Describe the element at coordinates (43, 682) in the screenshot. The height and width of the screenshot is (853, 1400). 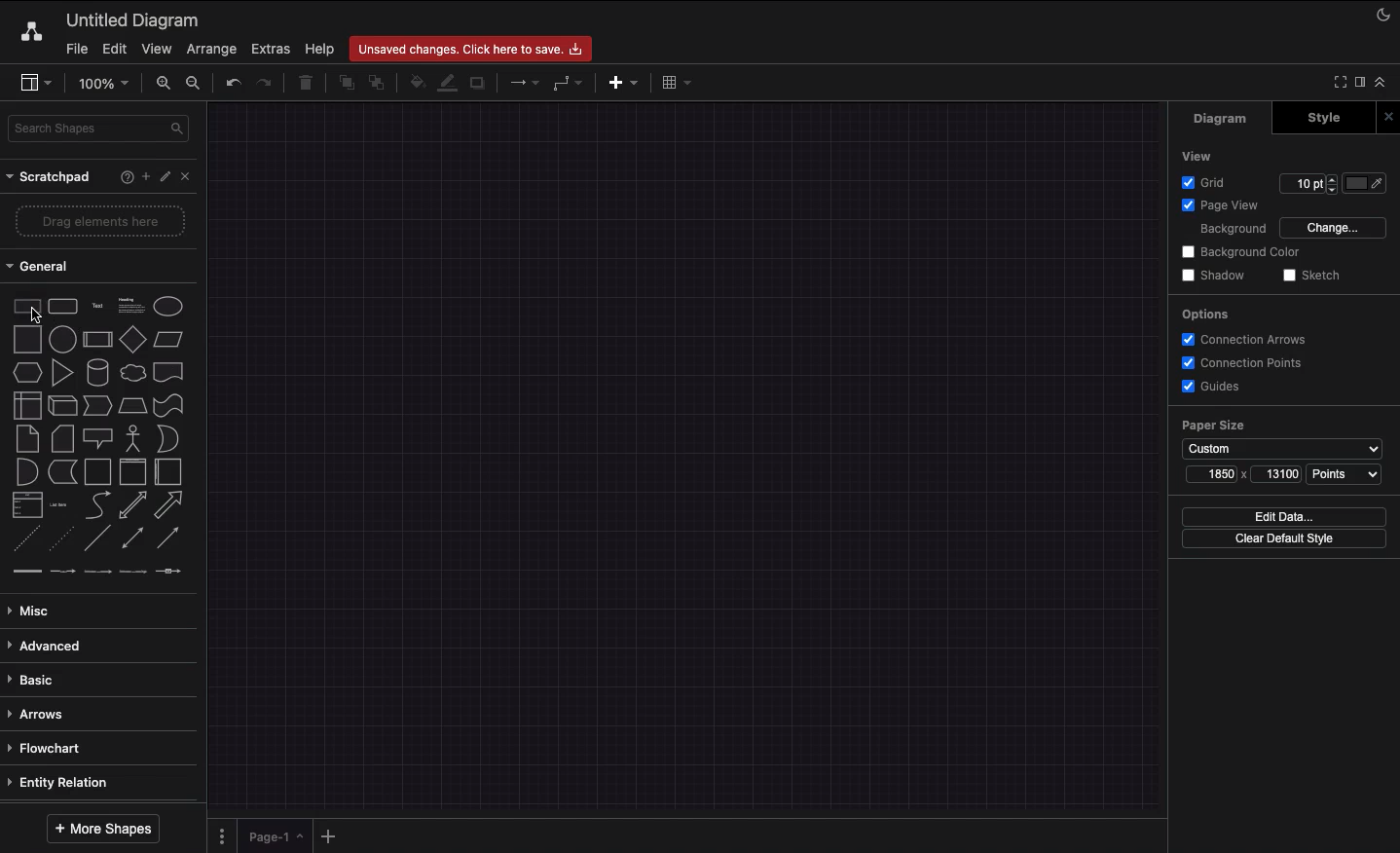
I see `Basic` at that location.